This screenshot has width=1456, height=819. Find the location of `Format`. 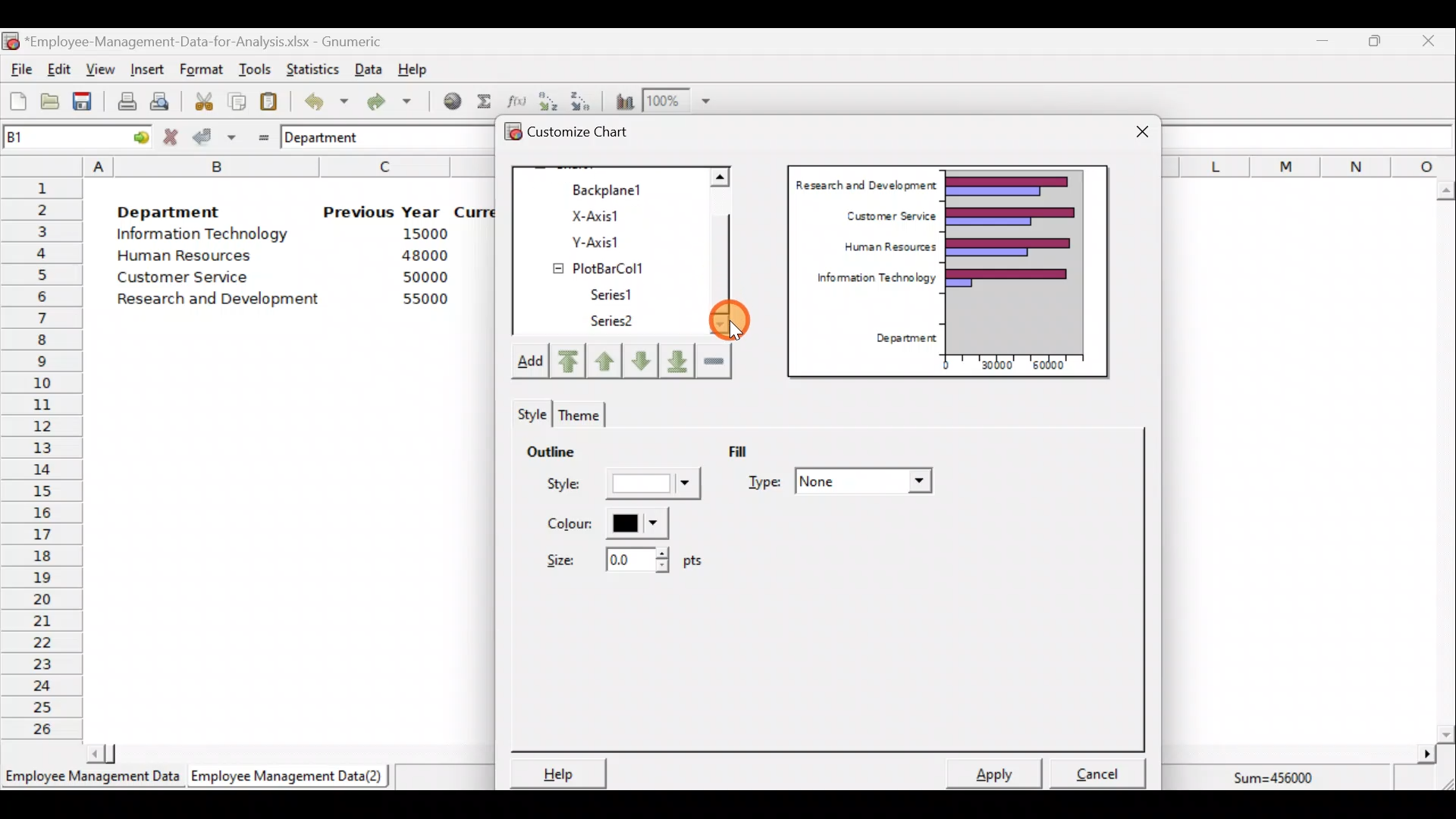

Format is located at coordinates (201, 71).